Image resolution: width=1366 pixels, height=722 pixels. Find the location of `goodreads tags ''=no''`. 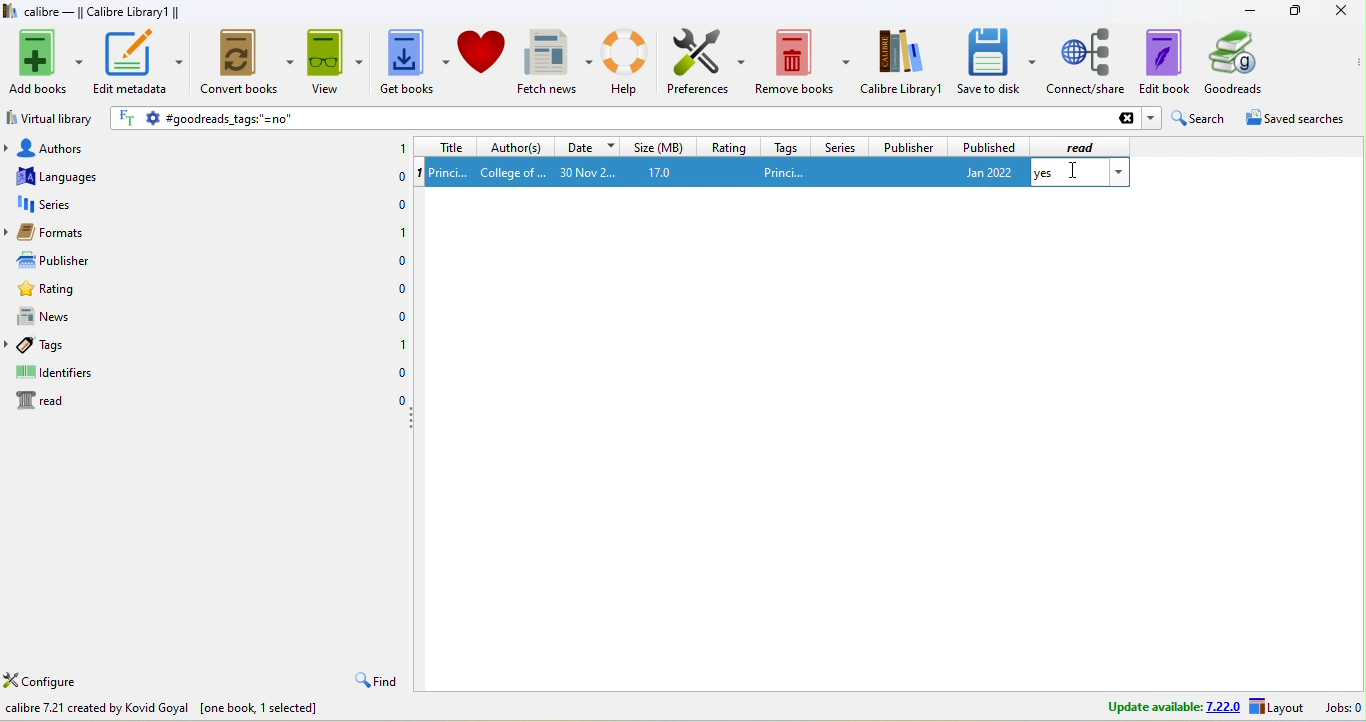

goodreads tags ''=no'' is located at coordinates (652, 118).